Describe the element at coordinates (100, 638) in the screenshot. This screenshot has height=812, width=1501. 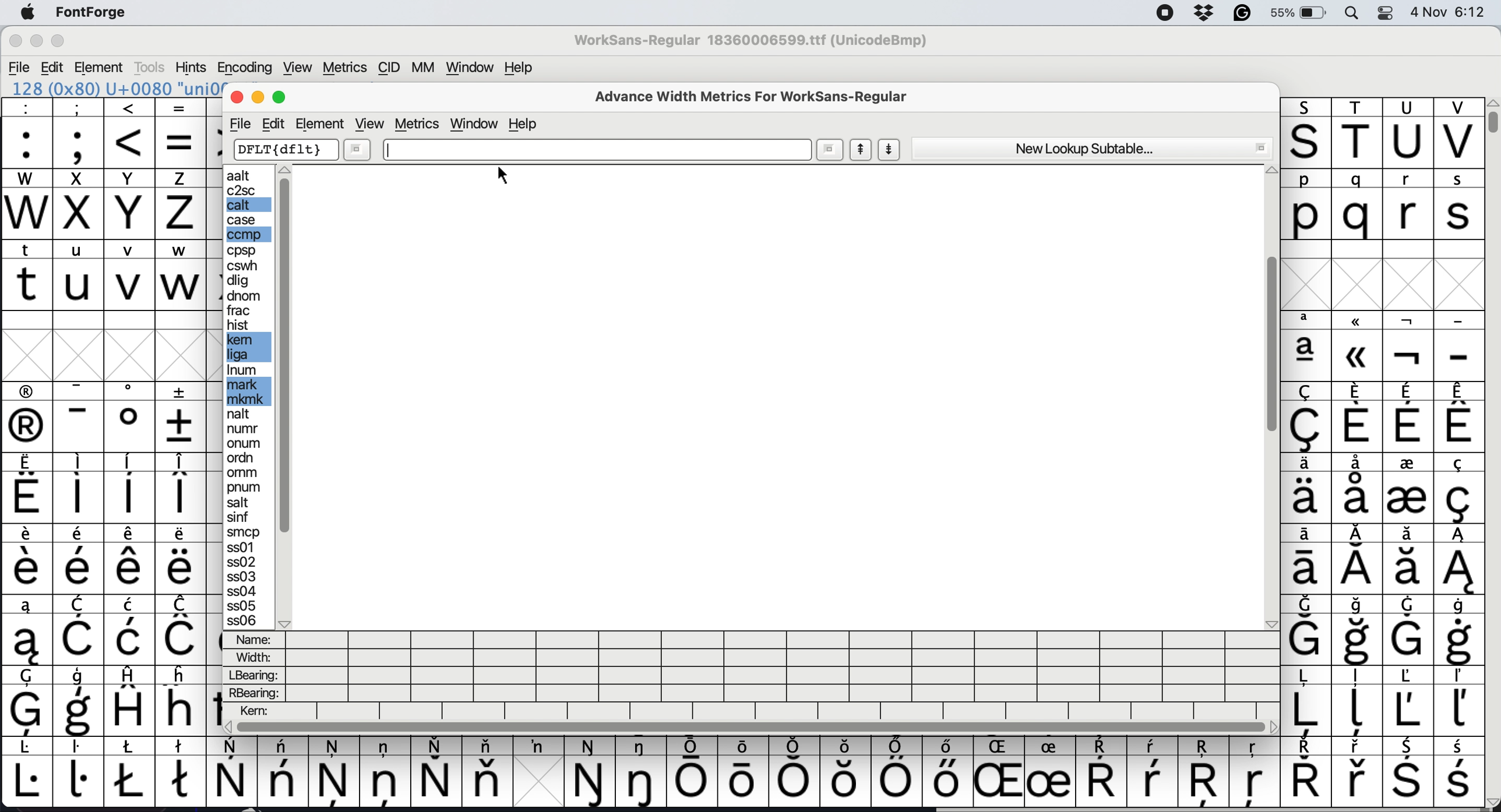
I see `special characters` at that location.